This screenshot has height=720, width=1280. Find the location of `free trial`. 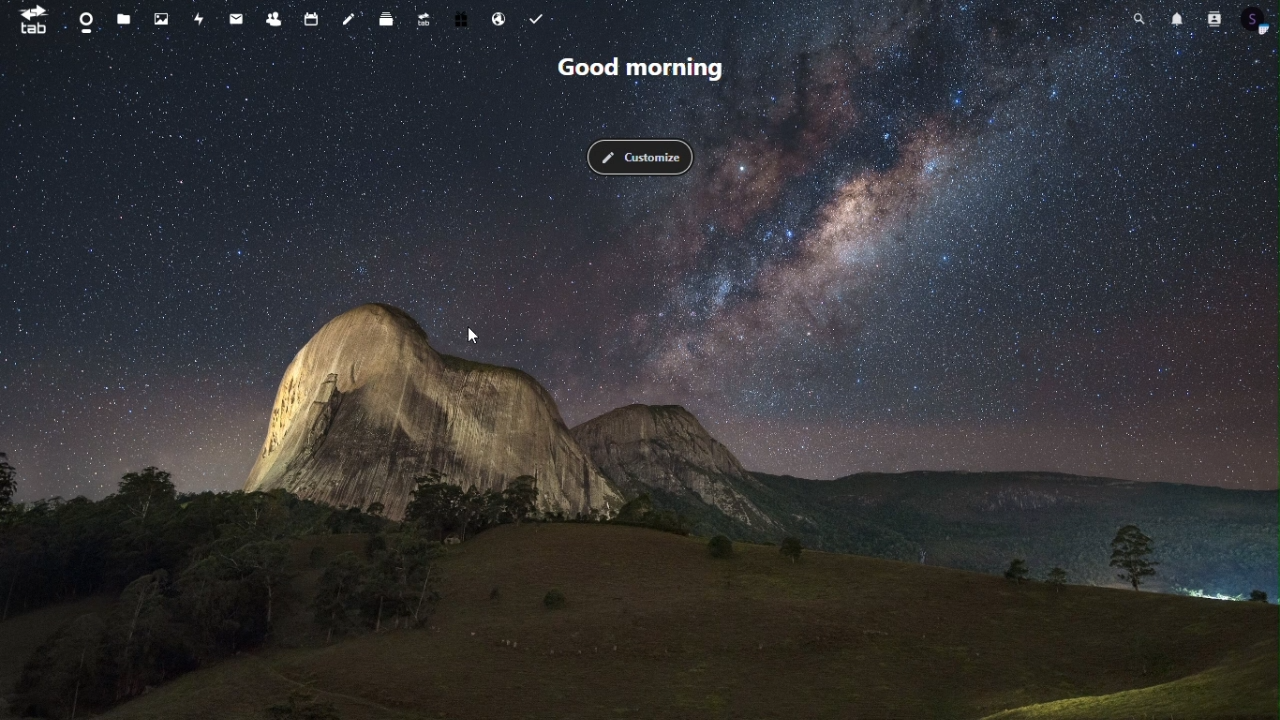

free trial is located at coordinates (463, 17).